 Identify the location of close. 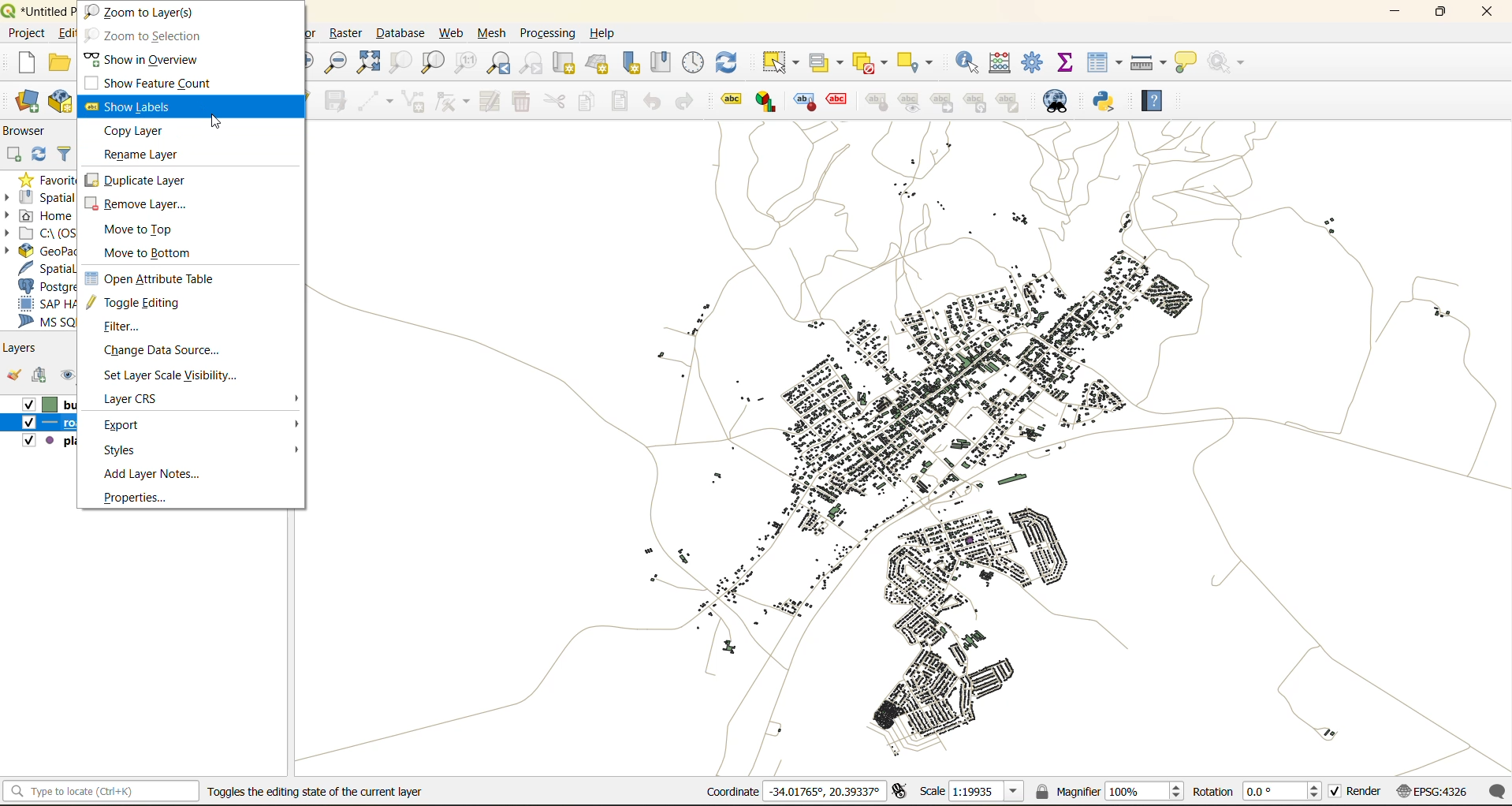
(1488, 12).